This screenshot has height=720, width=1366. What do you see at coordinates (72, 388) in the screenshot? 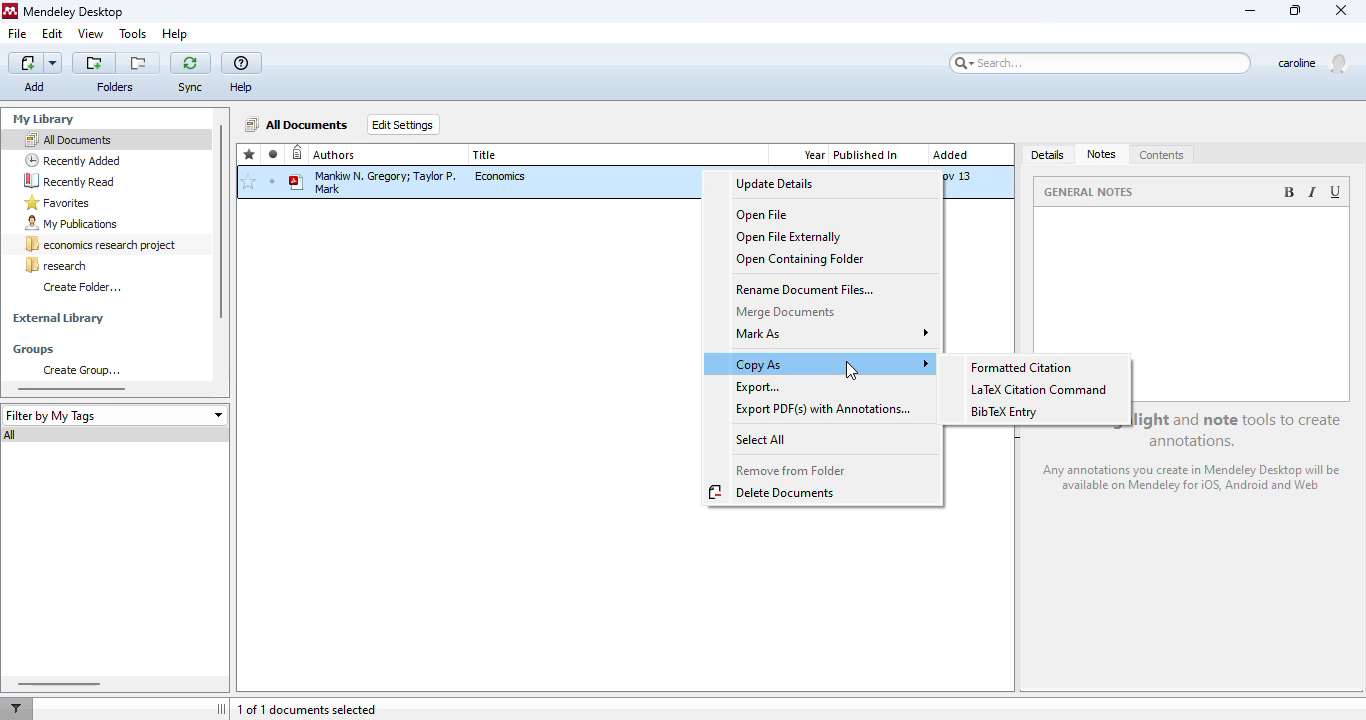
I see `horizontal scroll bar` at bounding box center [72, 388].